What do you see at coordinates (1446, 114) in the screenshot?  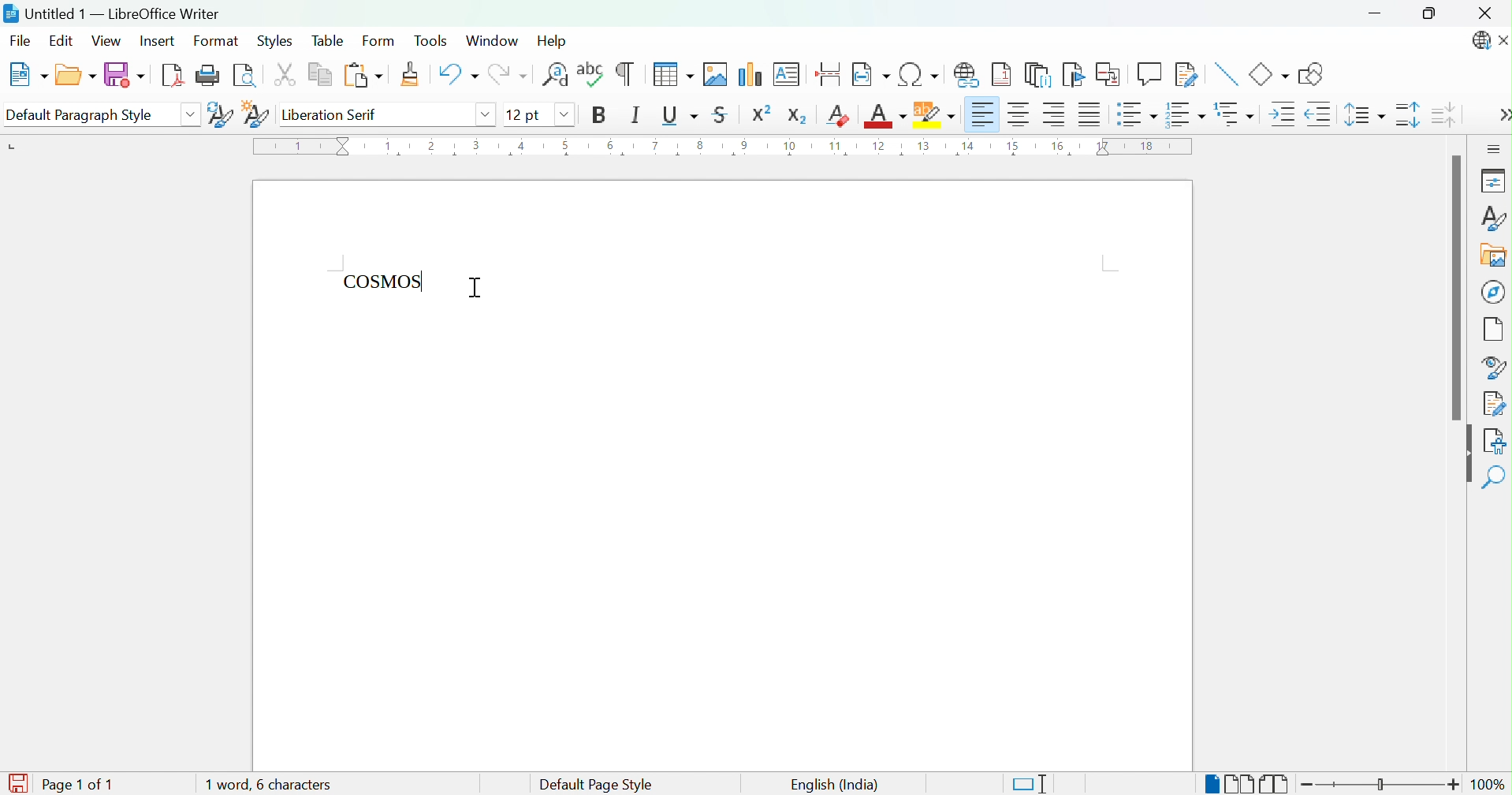 I see `Decrease Paragraph Spacing` at bounding box center [1446, 114].